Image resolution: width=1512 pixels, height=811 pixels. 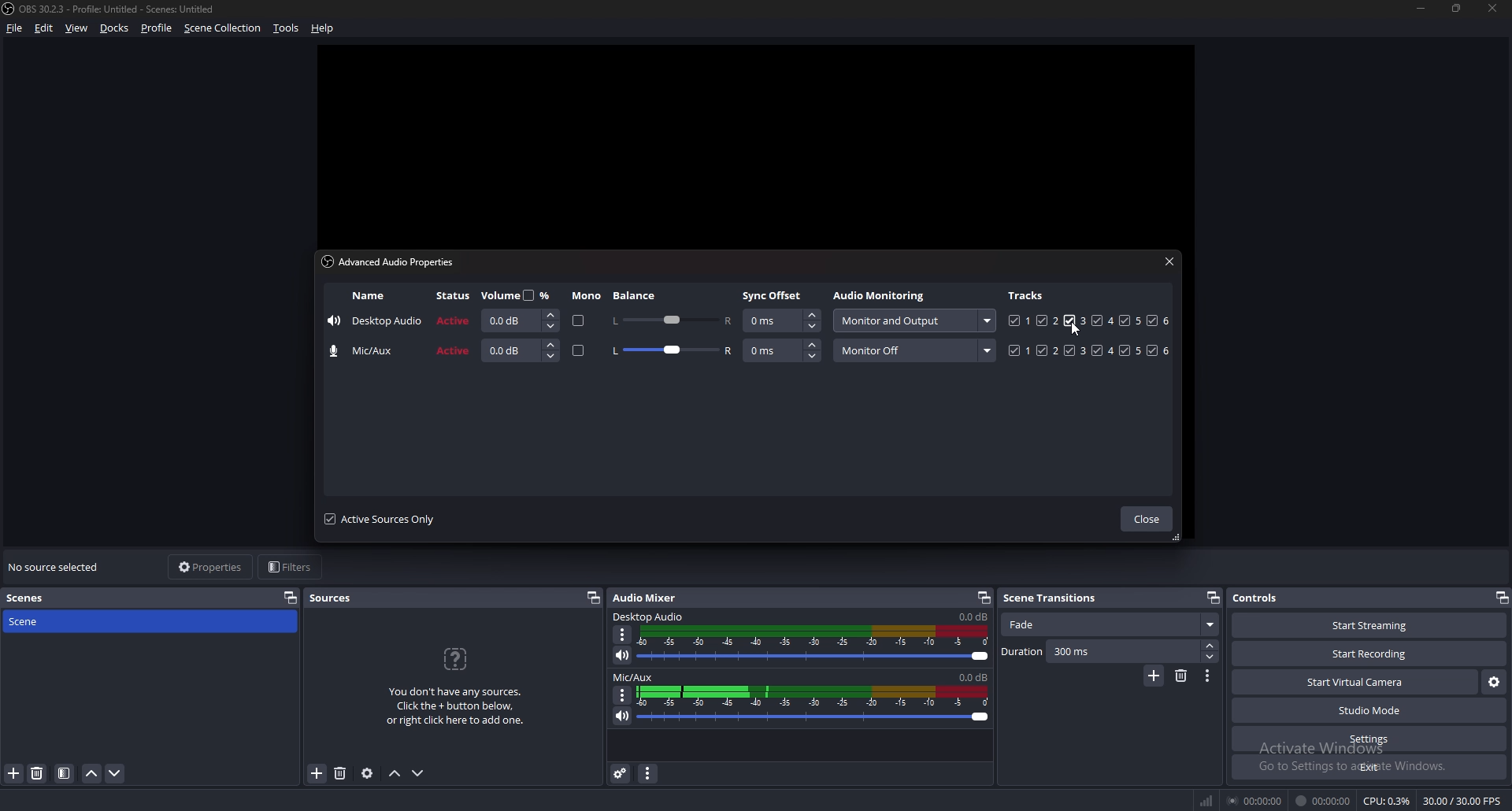 I want to click on filter, so click(x=64, y=774).